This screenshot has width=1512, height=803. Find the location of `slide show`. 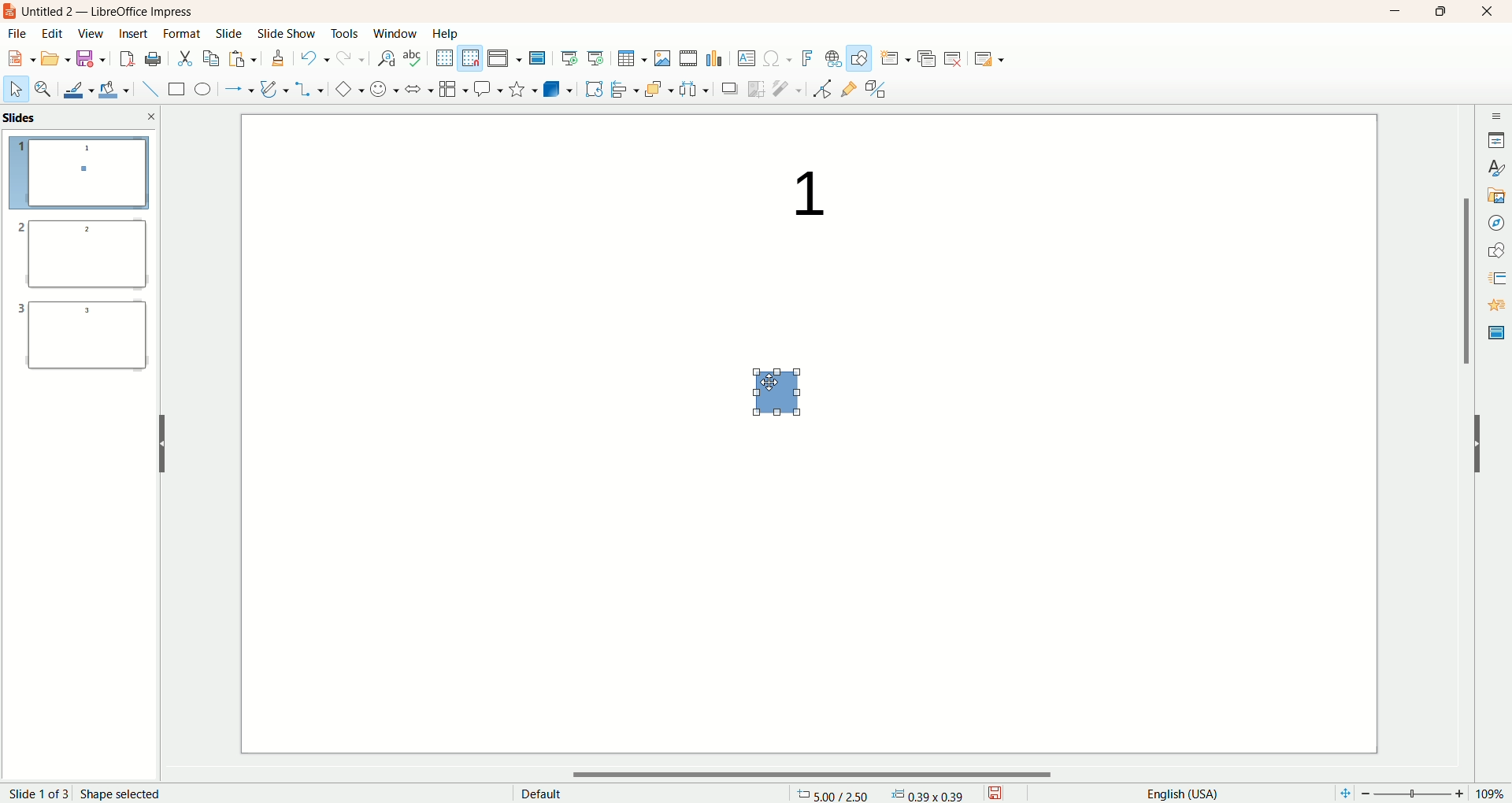

slide show is located at coordinates (289, 34).